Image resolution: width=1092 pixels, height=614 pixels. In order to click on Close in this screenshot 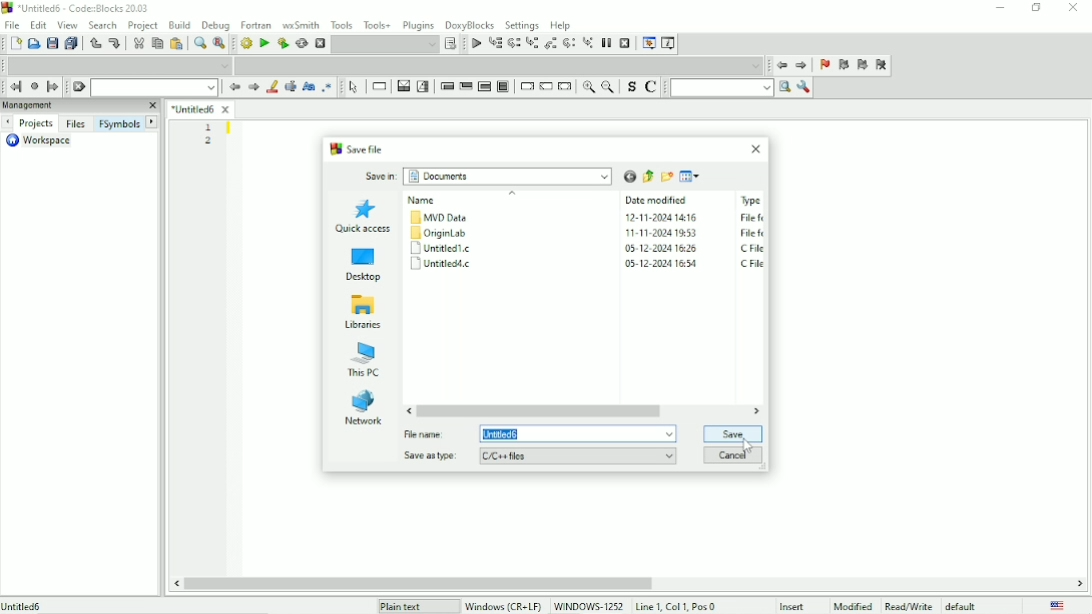, I will do `click(756, 148)`.